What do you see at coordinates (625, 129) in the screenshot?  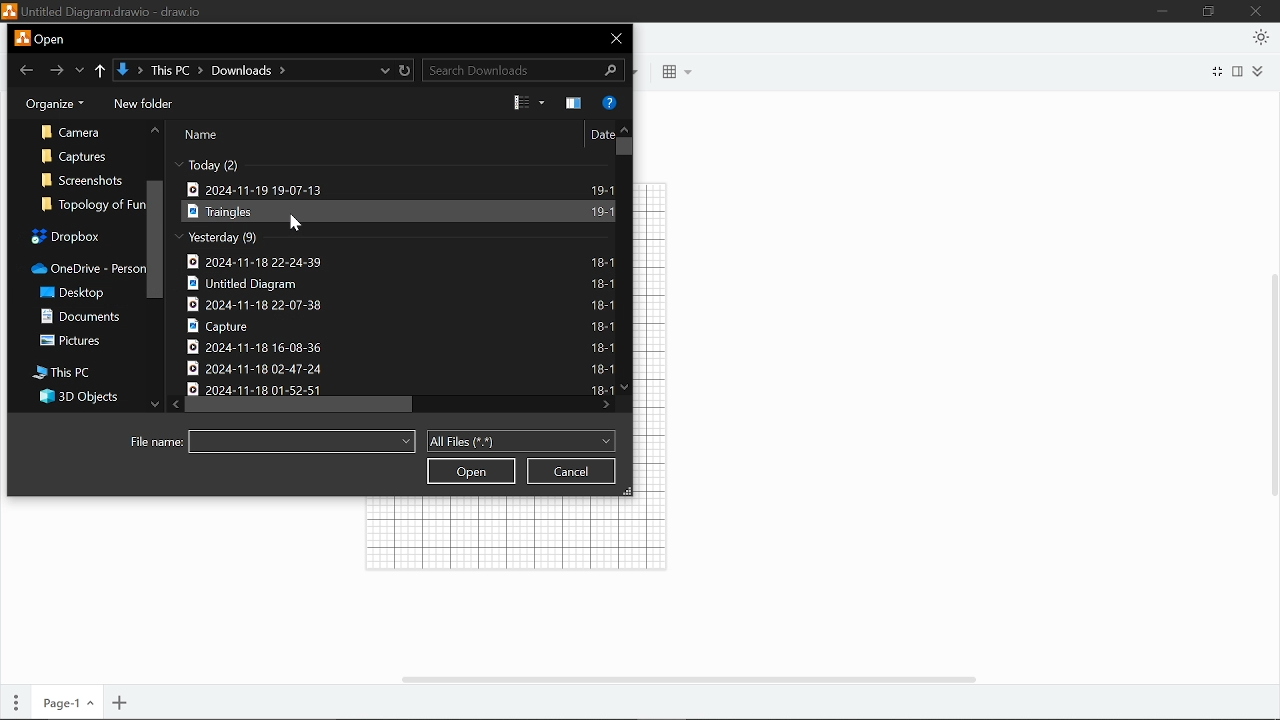 I see `Move up in files` at bounding box center [625, 129].